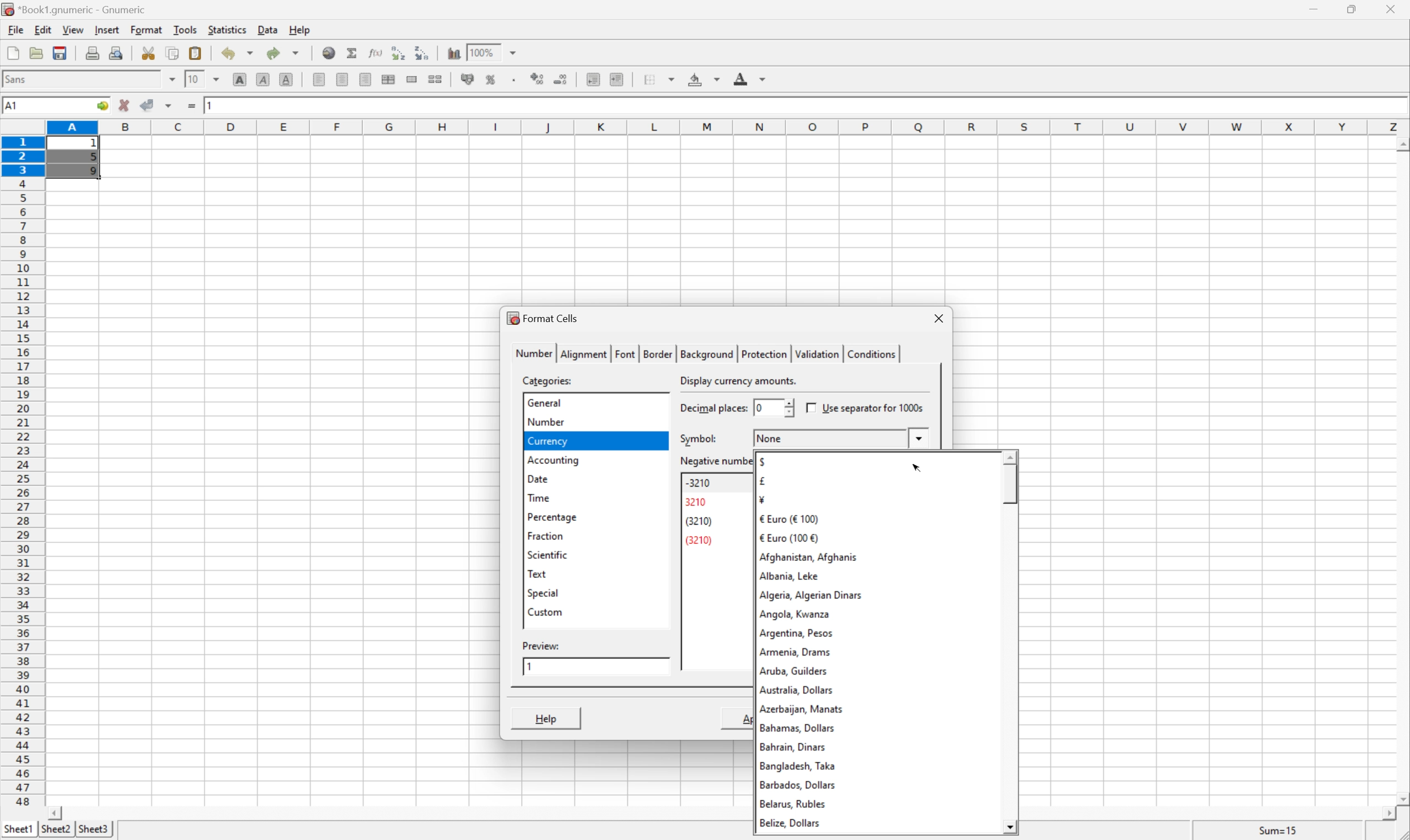 The image size is (1410, 840). Describe the element at coordinates (78, 8) in the screenshot. I see `application name` at that location.